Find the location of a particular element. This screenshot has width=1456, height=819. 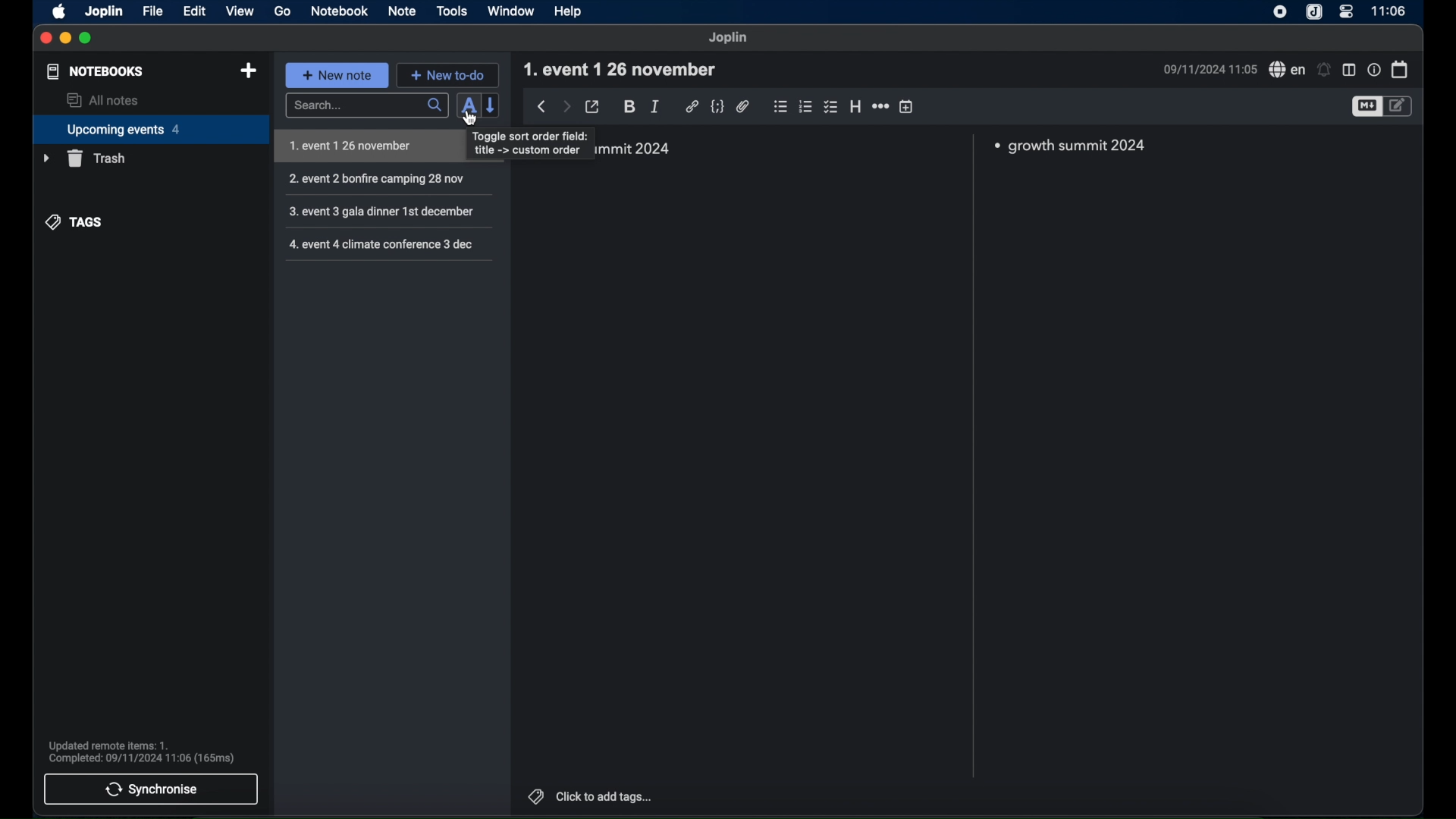

toggle external editor is located at coordinates (594, 106).